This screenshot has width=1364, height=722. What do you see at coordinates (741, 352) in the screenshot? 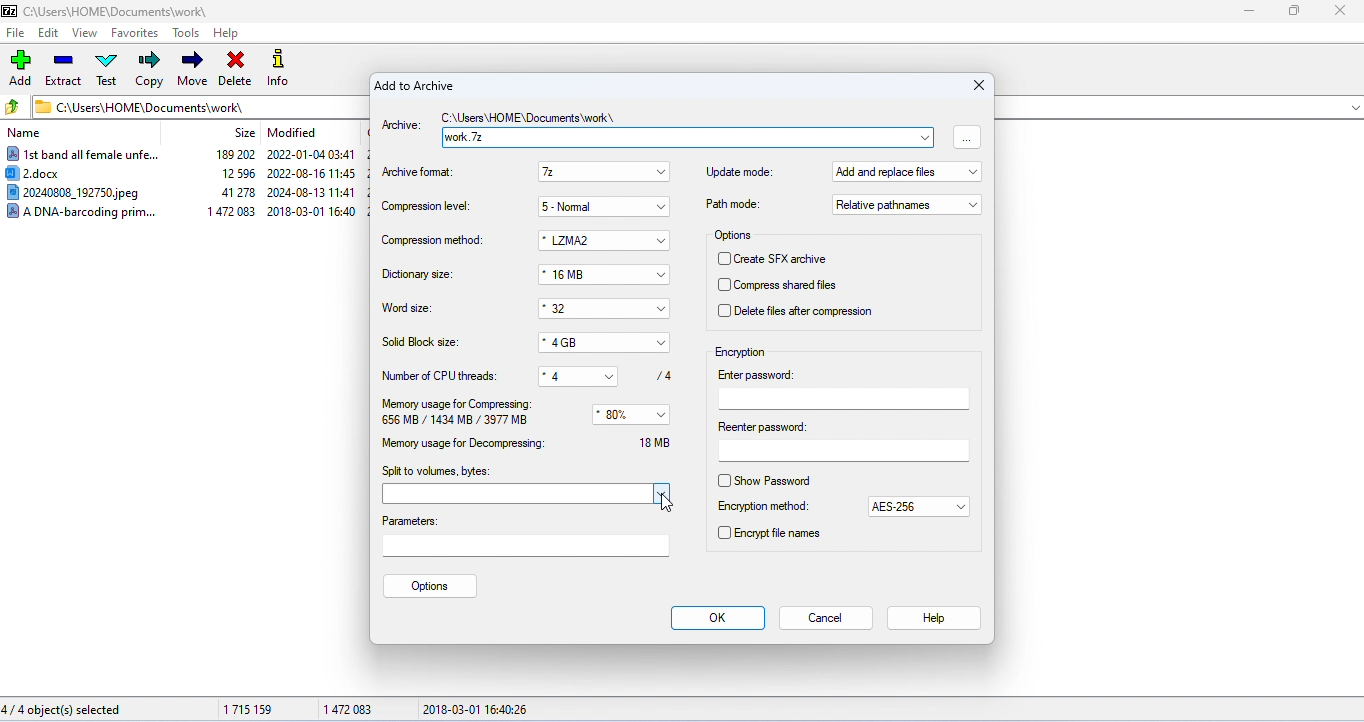
I see `encryption` at bounding box center [741, 352].